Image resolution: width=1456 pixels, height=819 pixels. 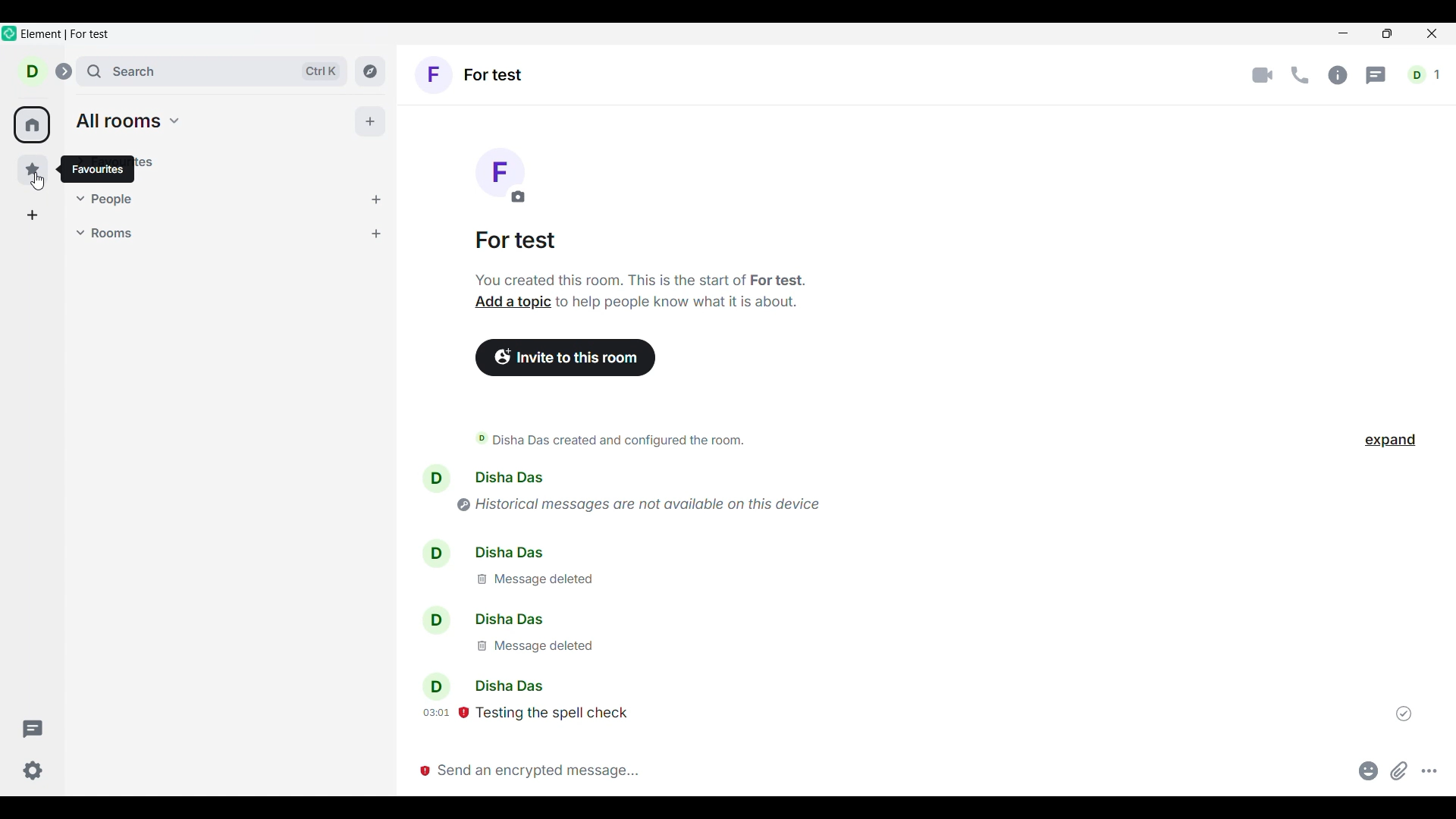 I want to click on Settings, so click(x=34, y=770).